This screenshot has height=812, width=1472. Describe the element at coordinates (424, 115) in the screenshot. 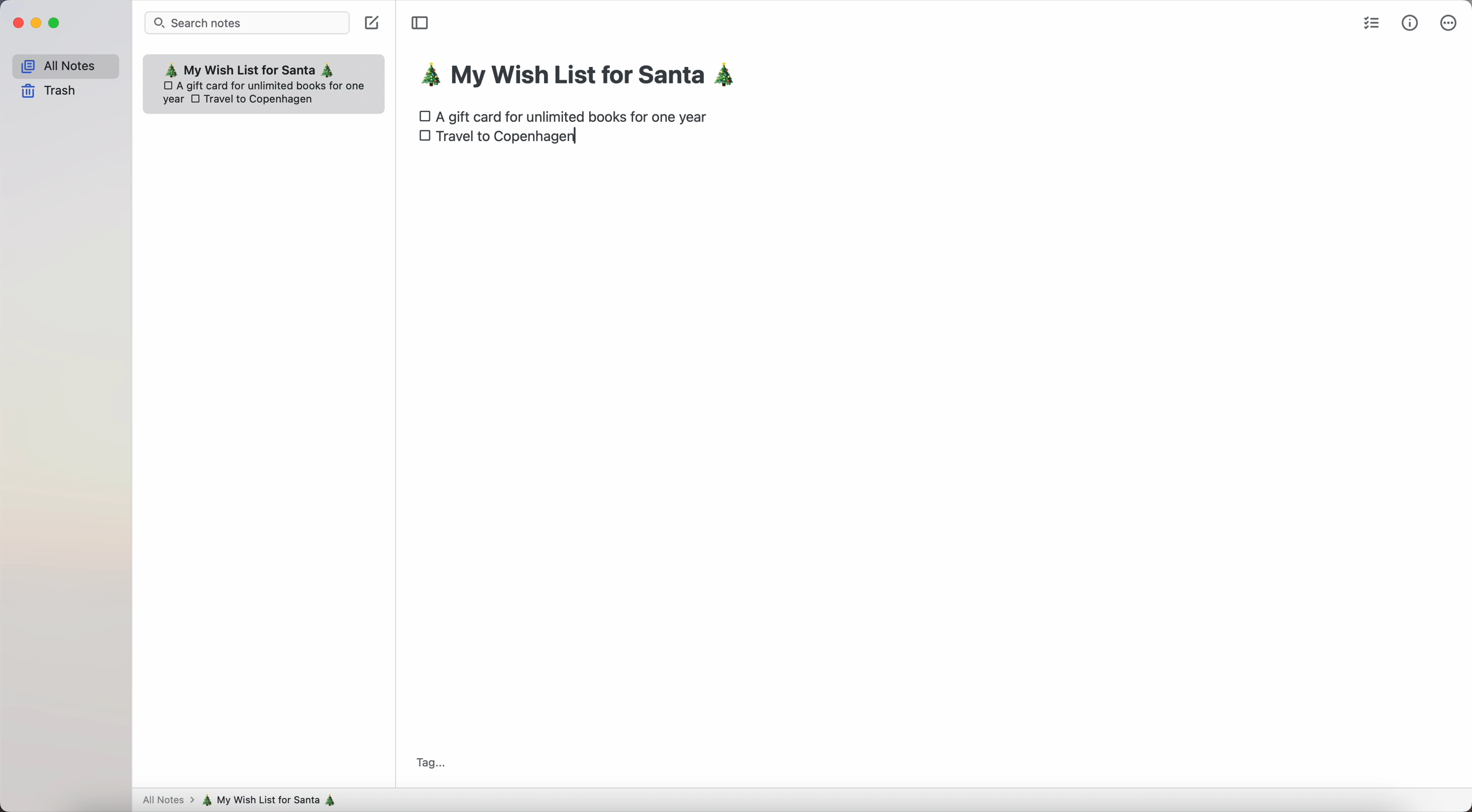

I see `checkbox` at that location.